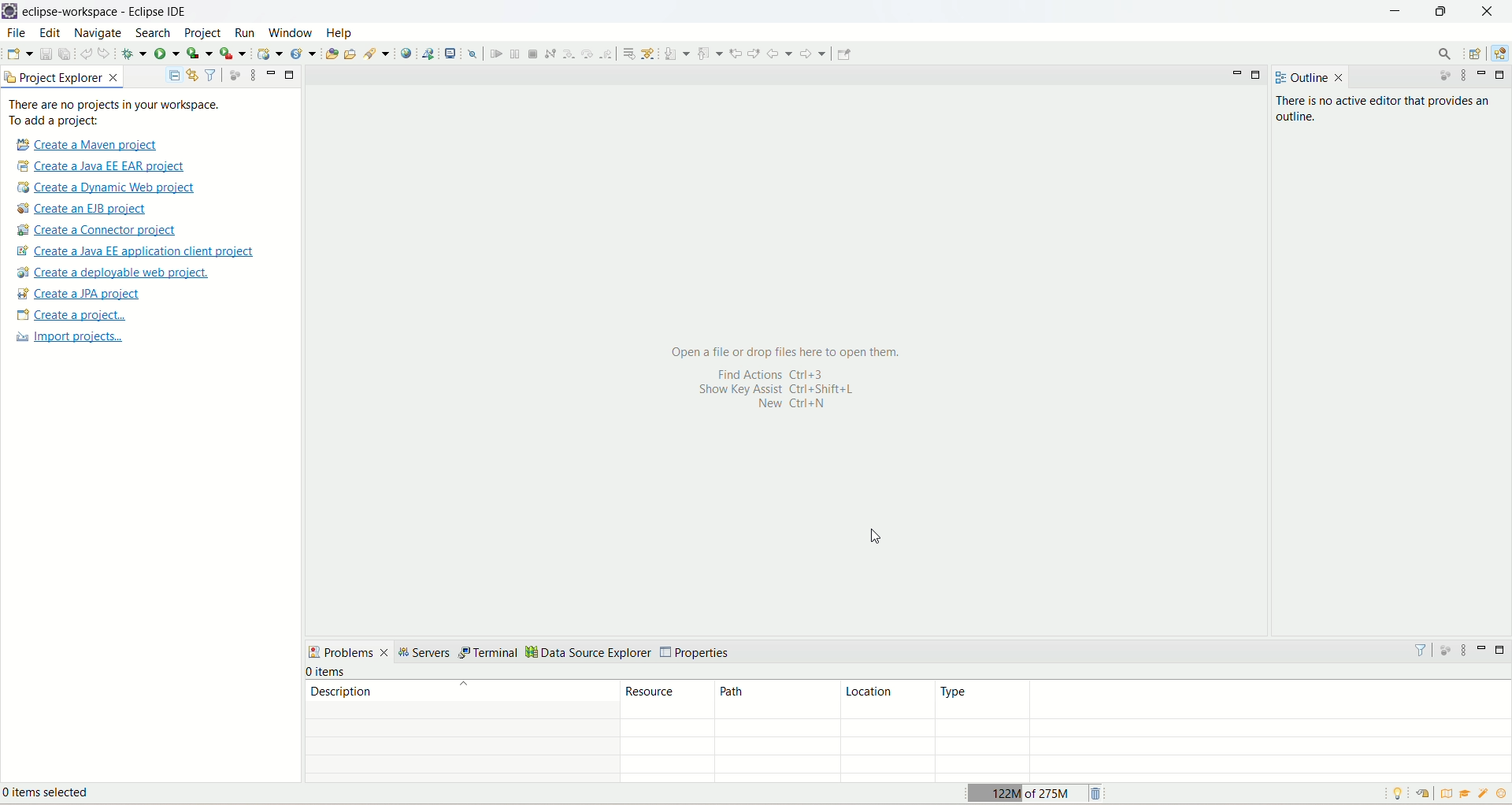 The height and width of the screenshot is (805, 1512). I want to click on minimize, so click(271, 73).